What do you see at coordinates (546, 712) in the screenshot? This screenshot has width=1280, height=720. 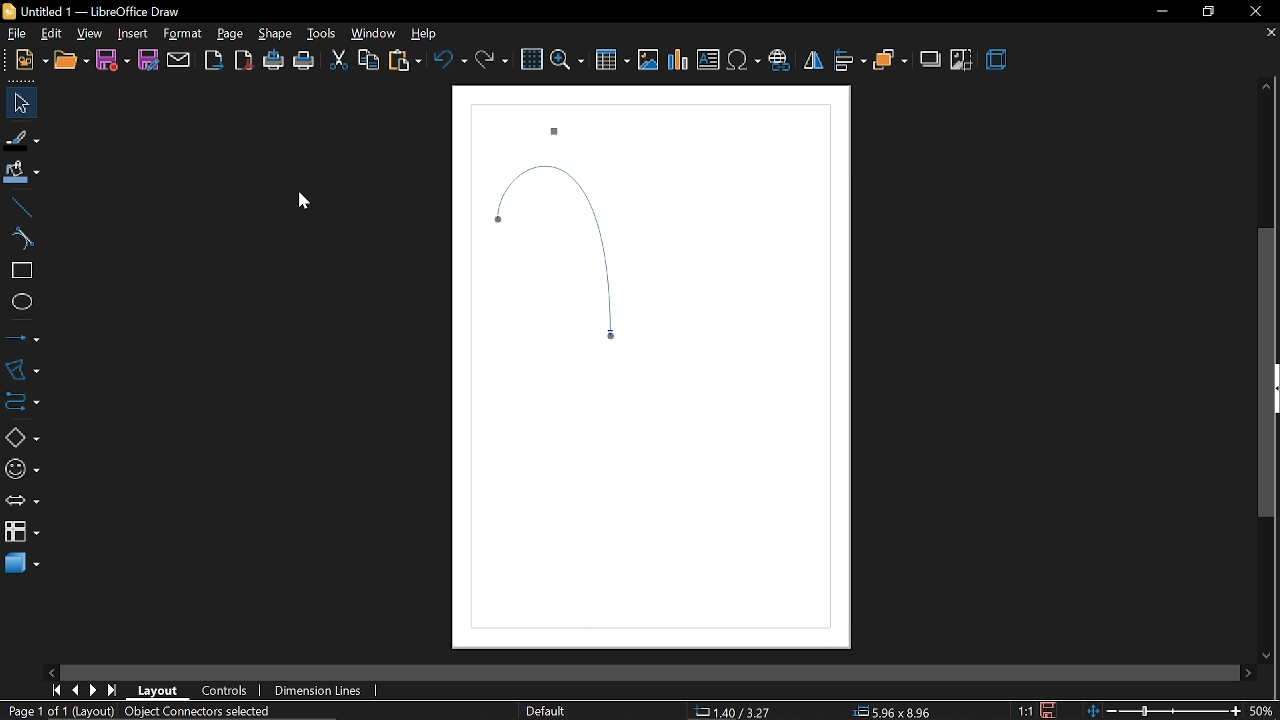 I see `Default` at bounding box center [546, 712].